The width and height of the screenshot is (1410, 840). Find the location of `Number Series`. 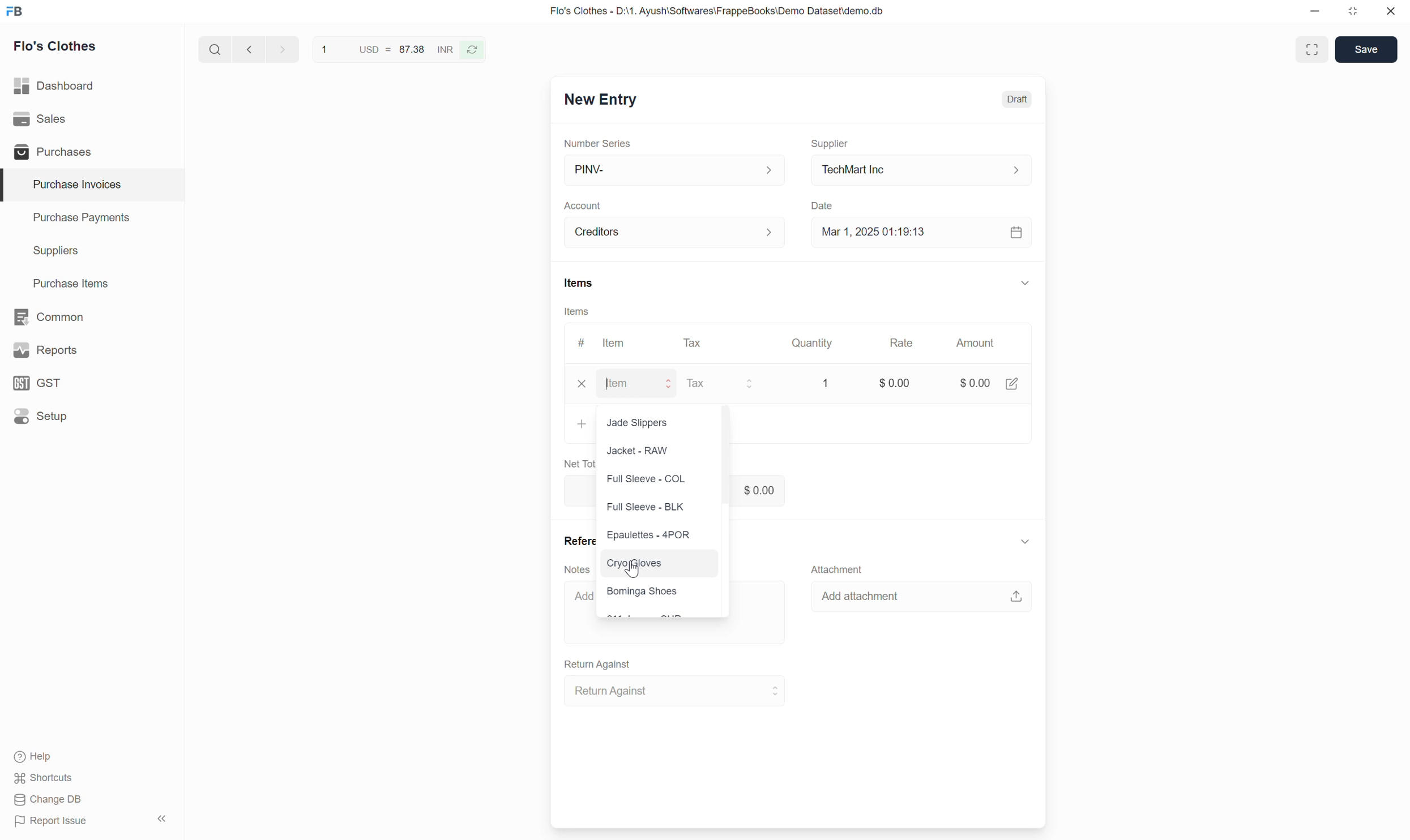

Number Series is located at coordinates (604, 142).